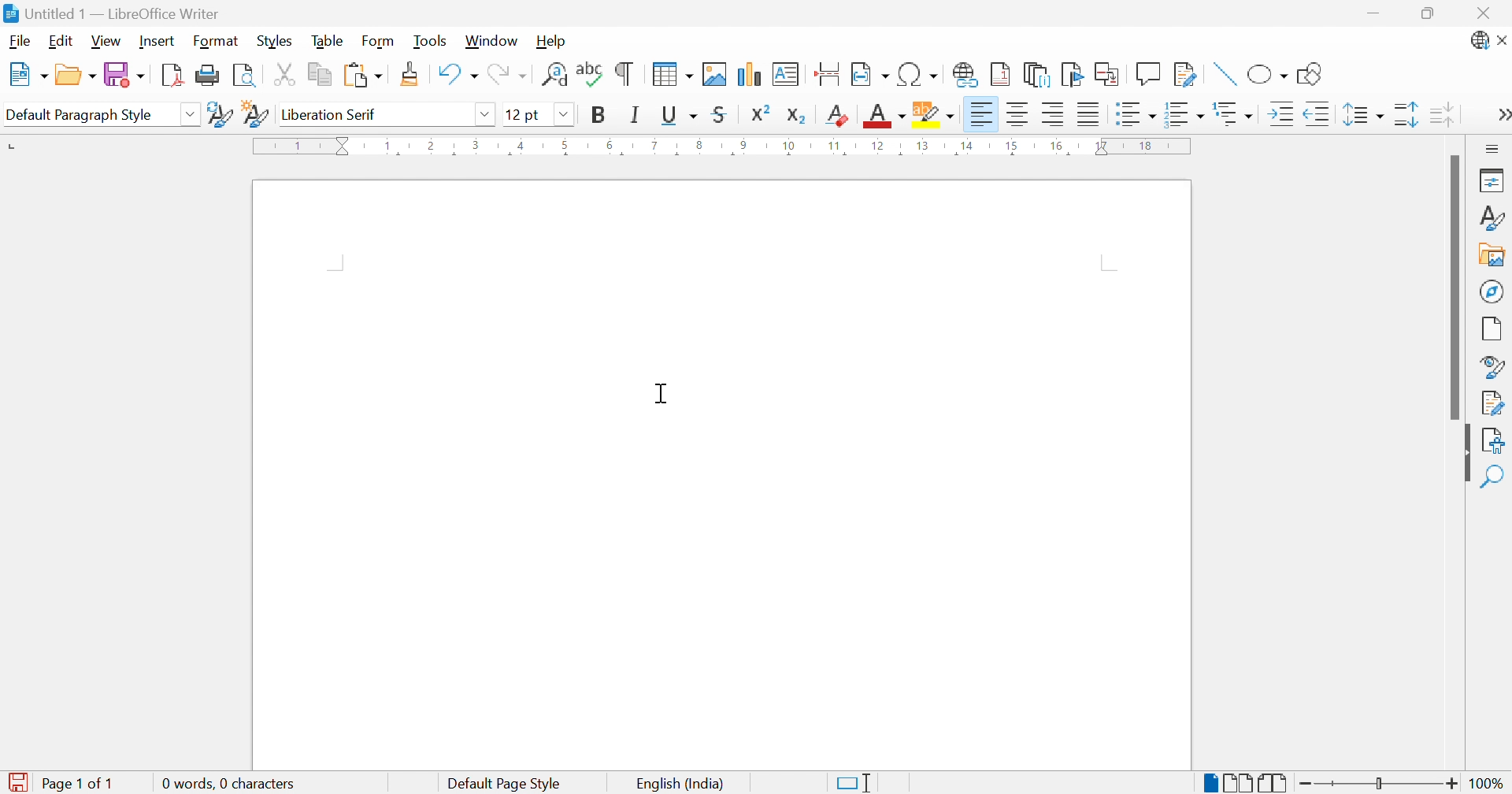  What do you see at coordinates (624, 74) in the screenshot?
I see `` at bounding box center [624, 74].